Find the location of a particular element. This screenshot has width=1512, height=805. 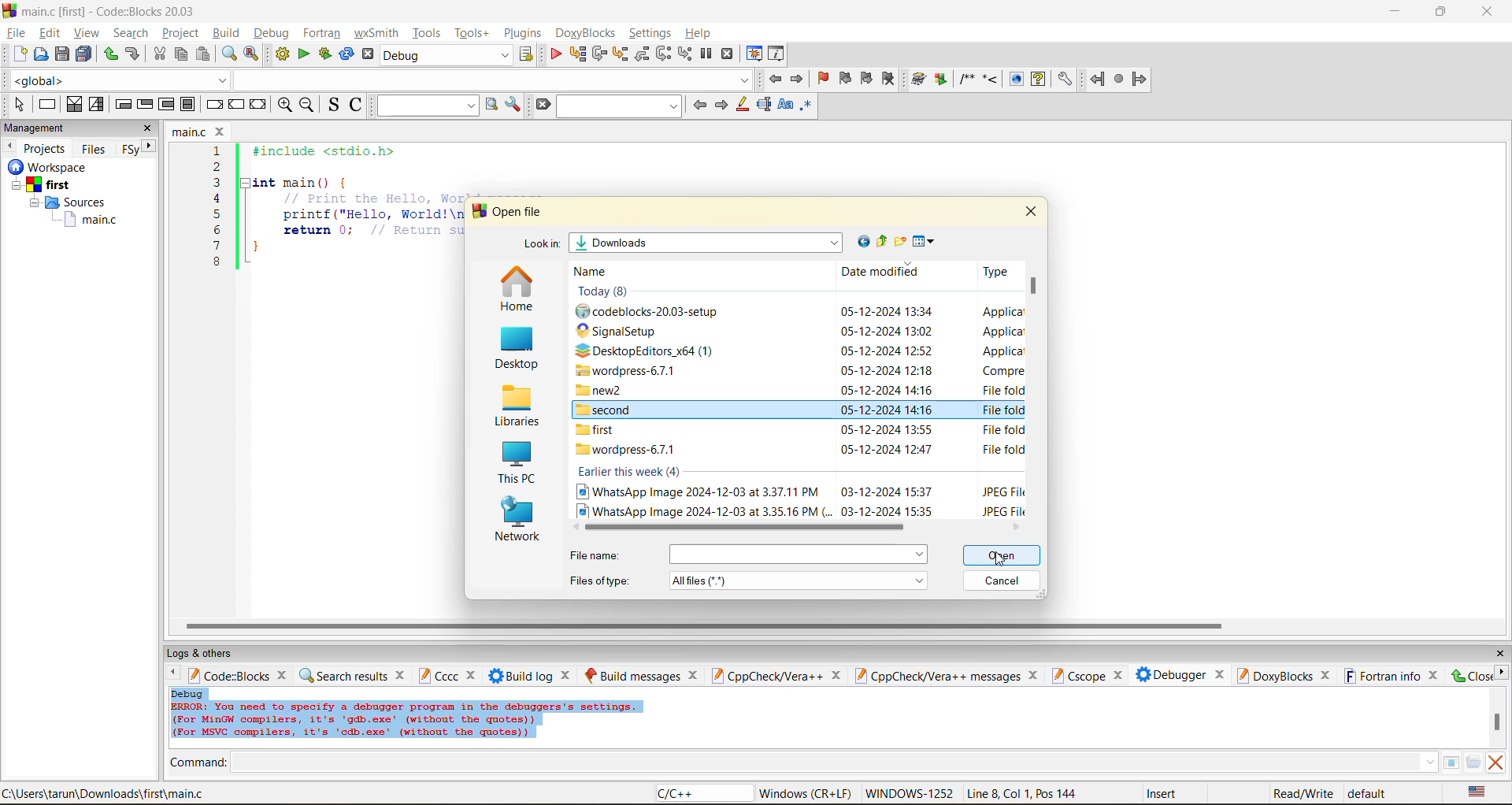

cccc is located at coordinates (438, 675).